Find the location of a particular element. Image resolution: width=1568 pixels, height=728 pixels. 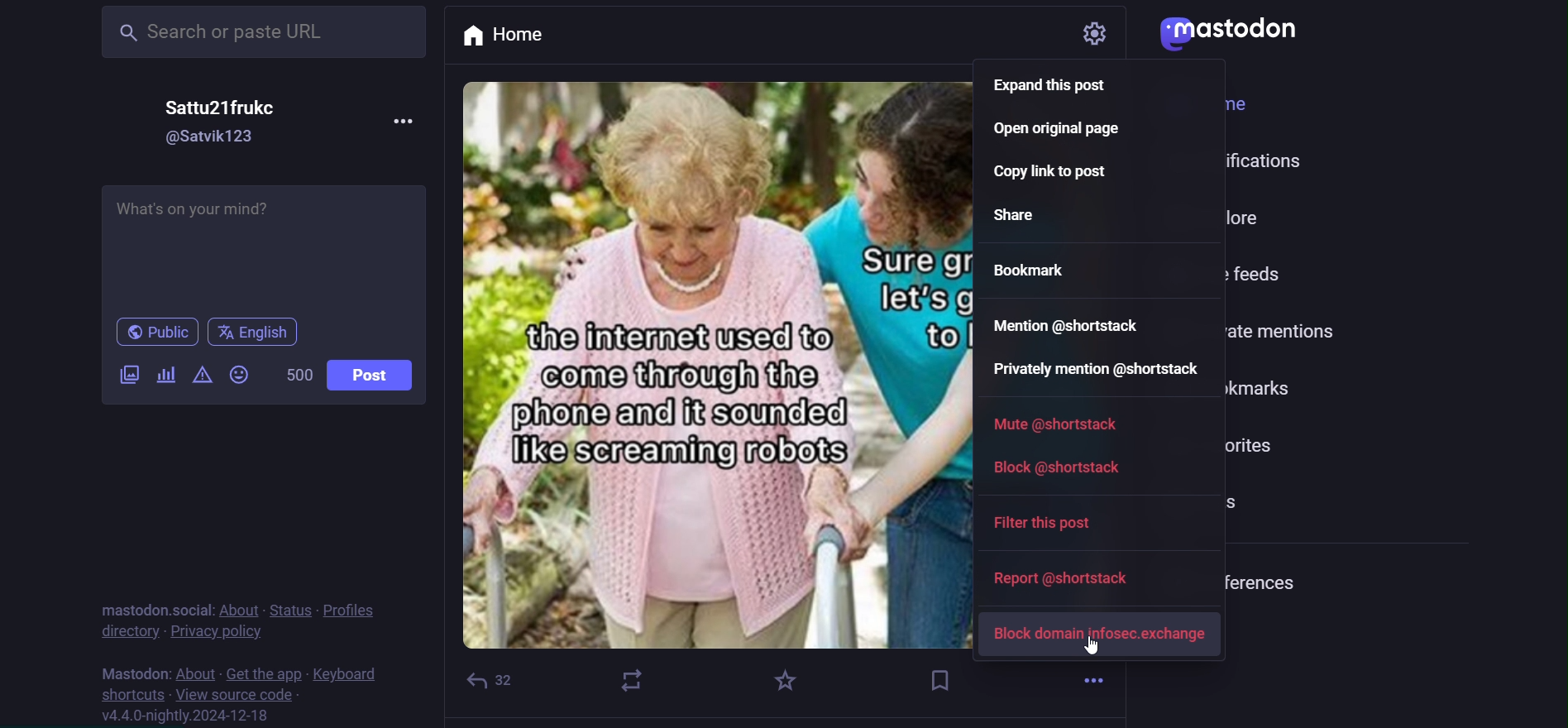

search is located at coordinates (264, 33).